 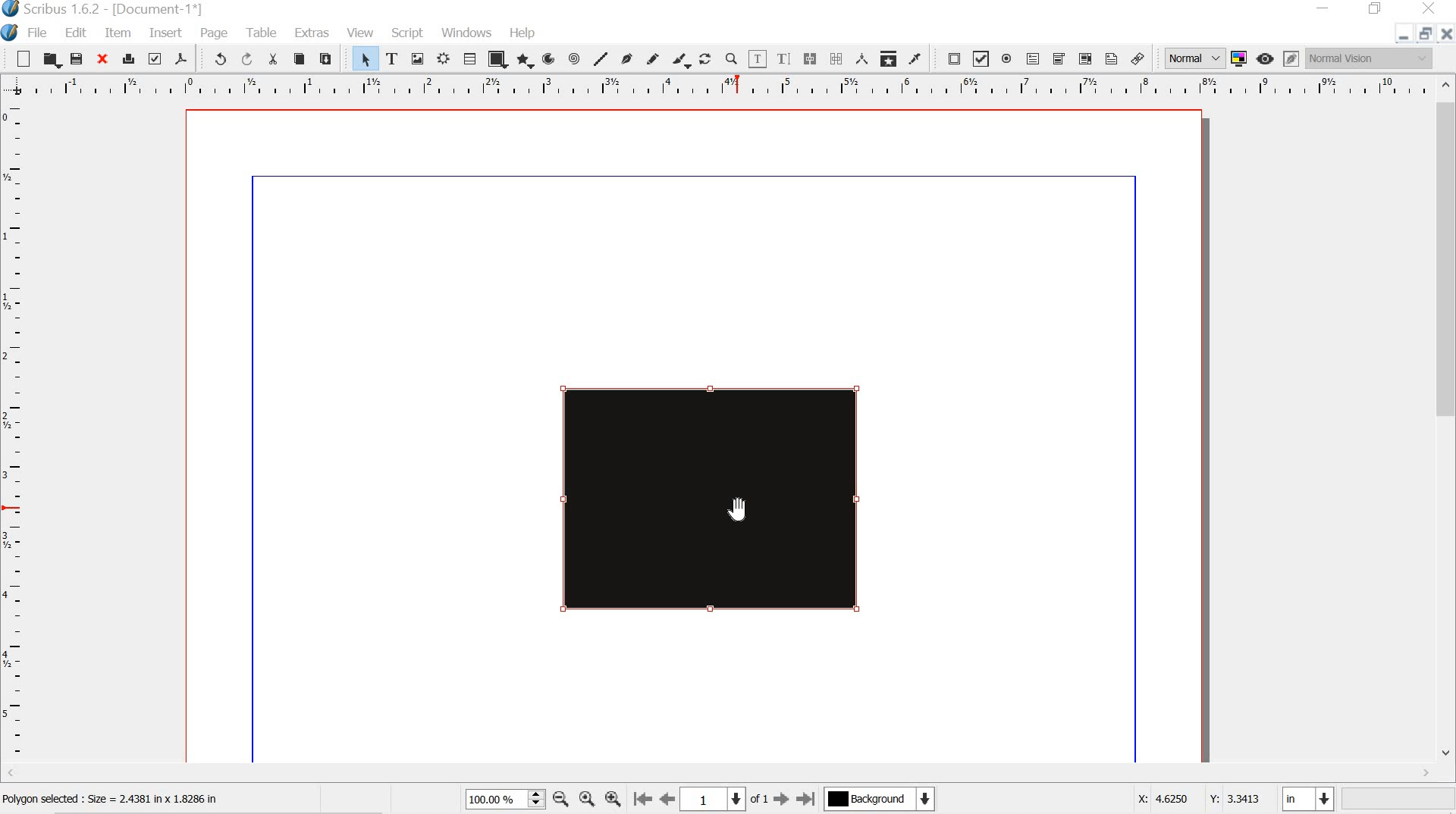 I want to click on zoom out, so click(x=560, y=800).